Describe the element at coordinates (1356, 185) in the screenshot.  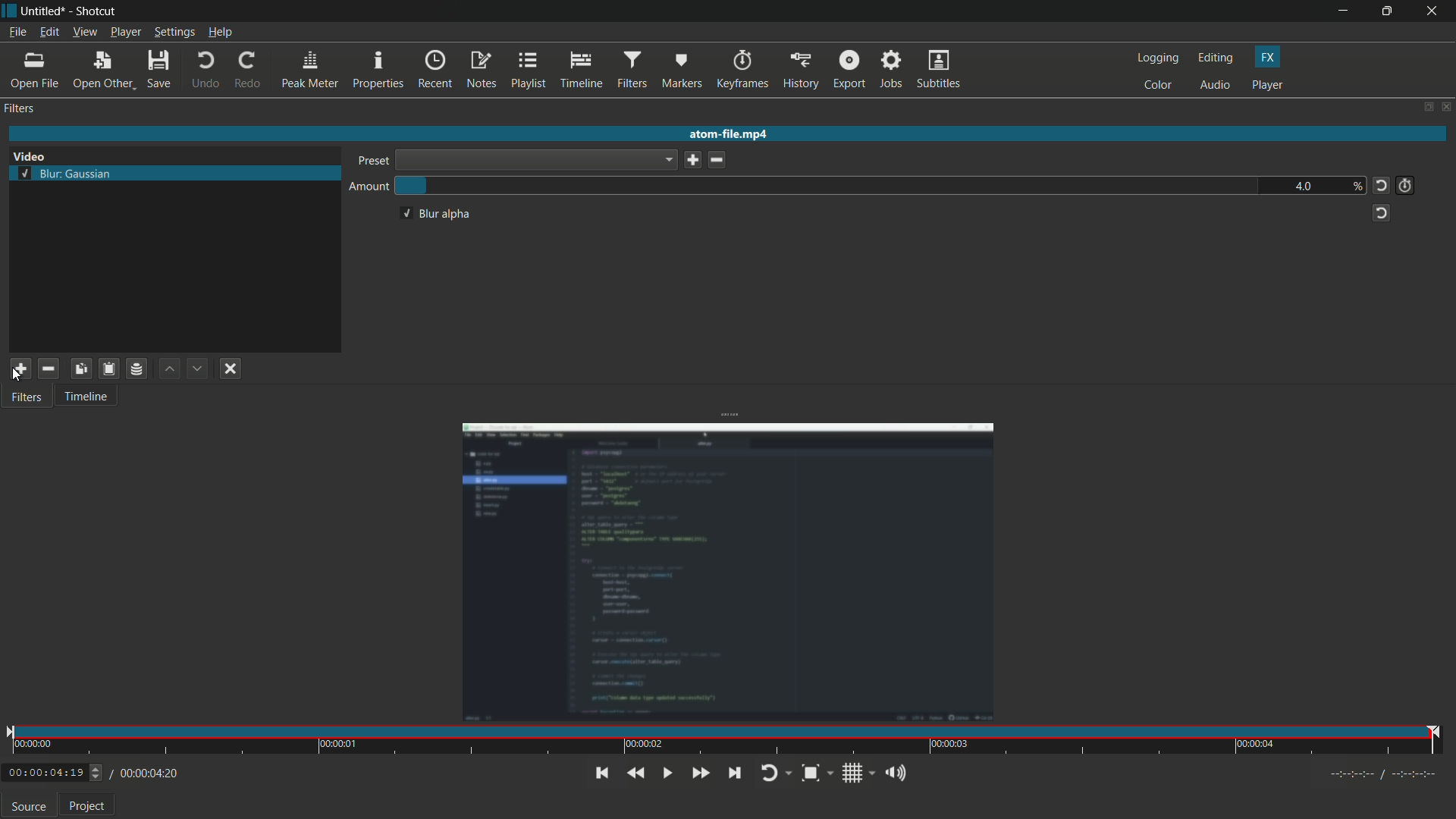
I see `%` at that location.